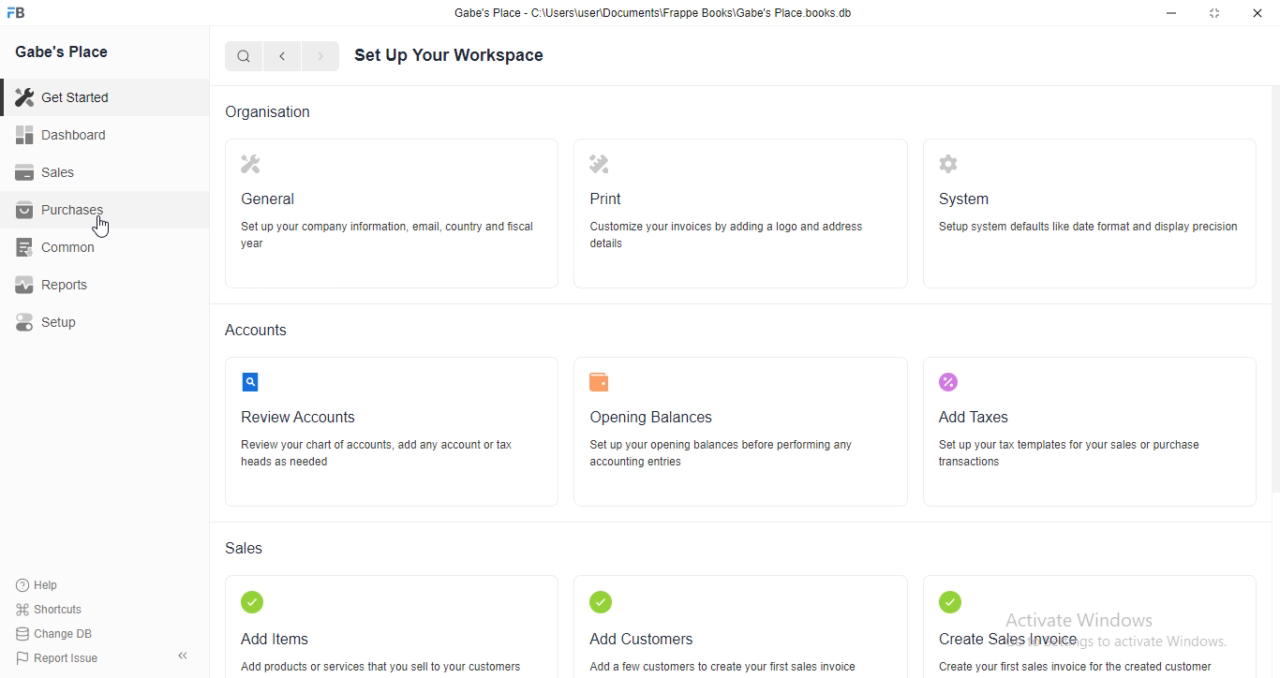  What do you see at coordinates (61, 135) in the screenshot?
I see `Dashboard` at bounding box center [61, 135].